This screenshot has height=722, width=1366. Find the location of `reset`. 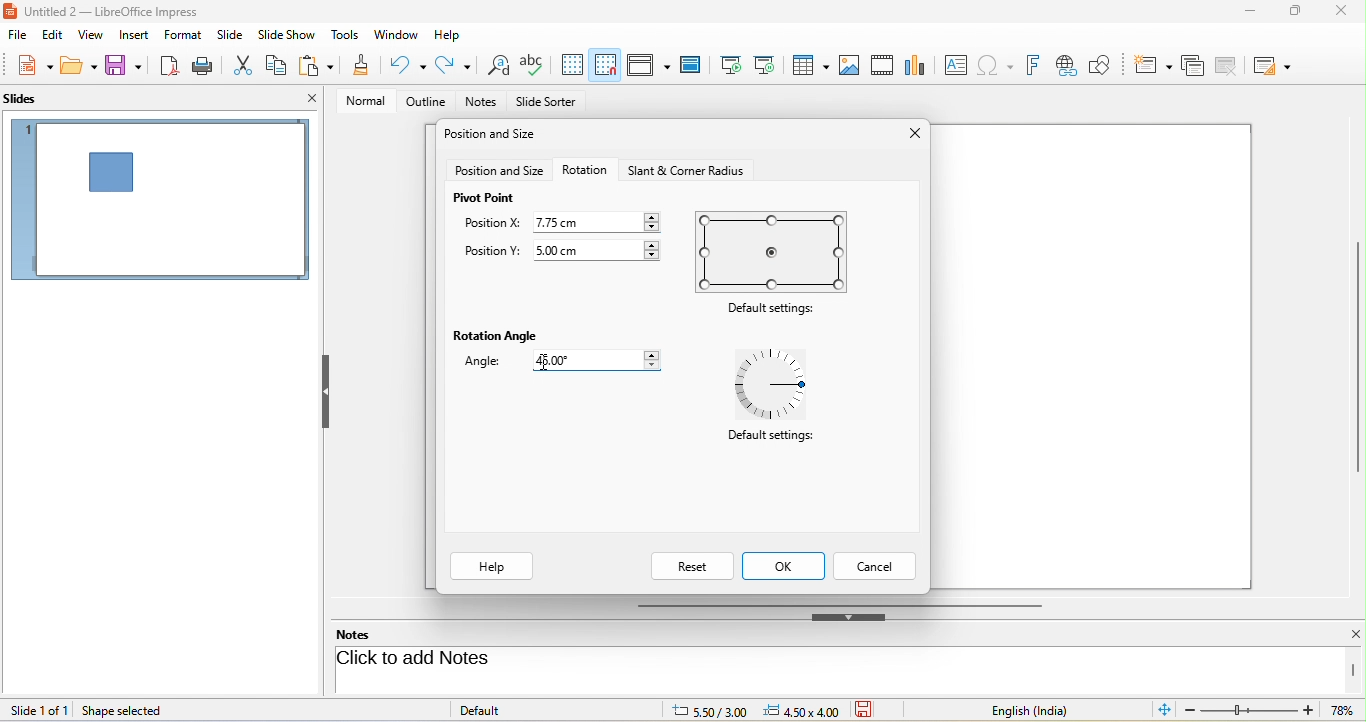

reset is located at coordinates (691, 566).